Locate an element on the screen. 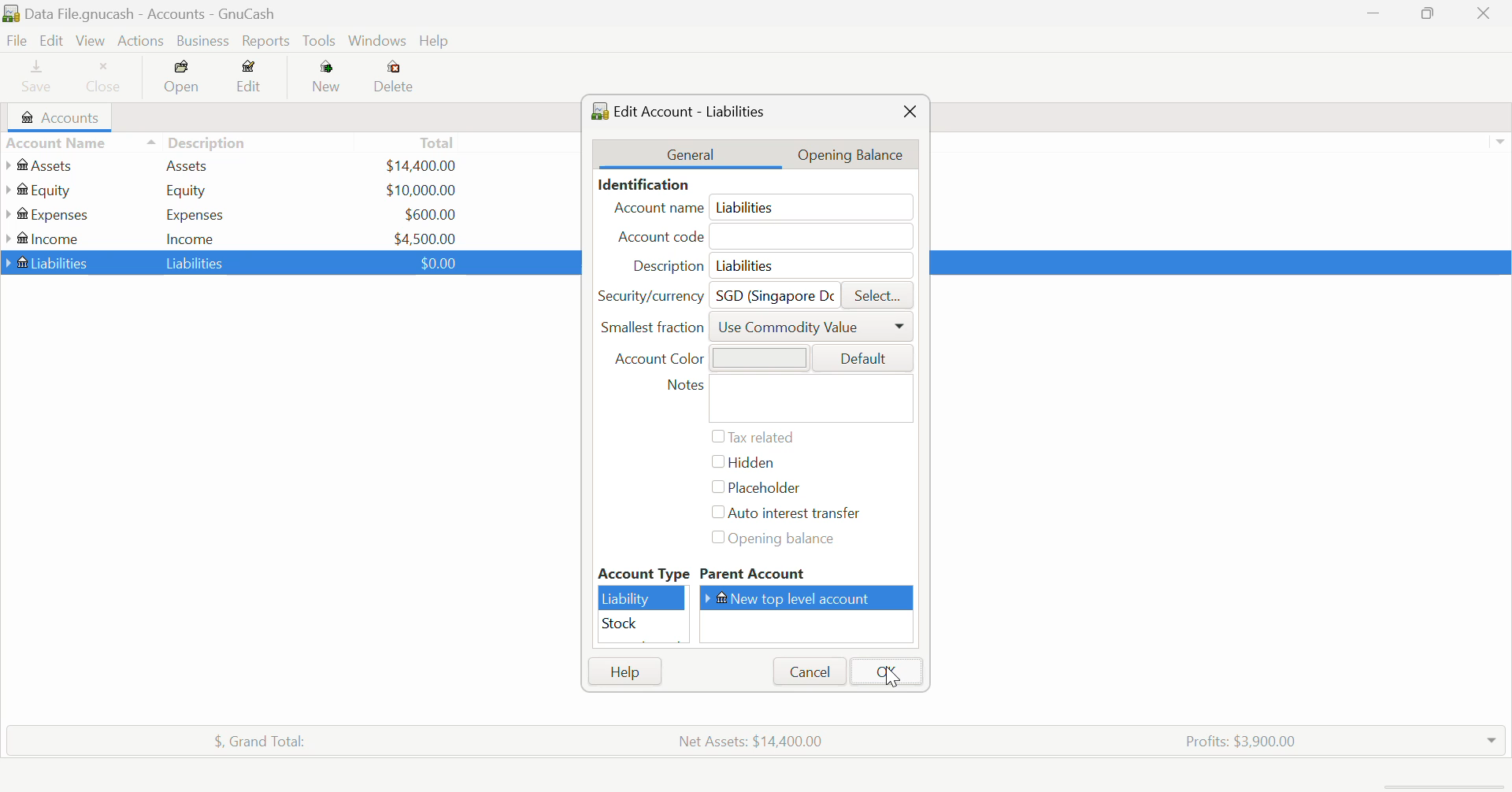 The image size is (1512, 792). Actions is located at coordinates (139, 41).